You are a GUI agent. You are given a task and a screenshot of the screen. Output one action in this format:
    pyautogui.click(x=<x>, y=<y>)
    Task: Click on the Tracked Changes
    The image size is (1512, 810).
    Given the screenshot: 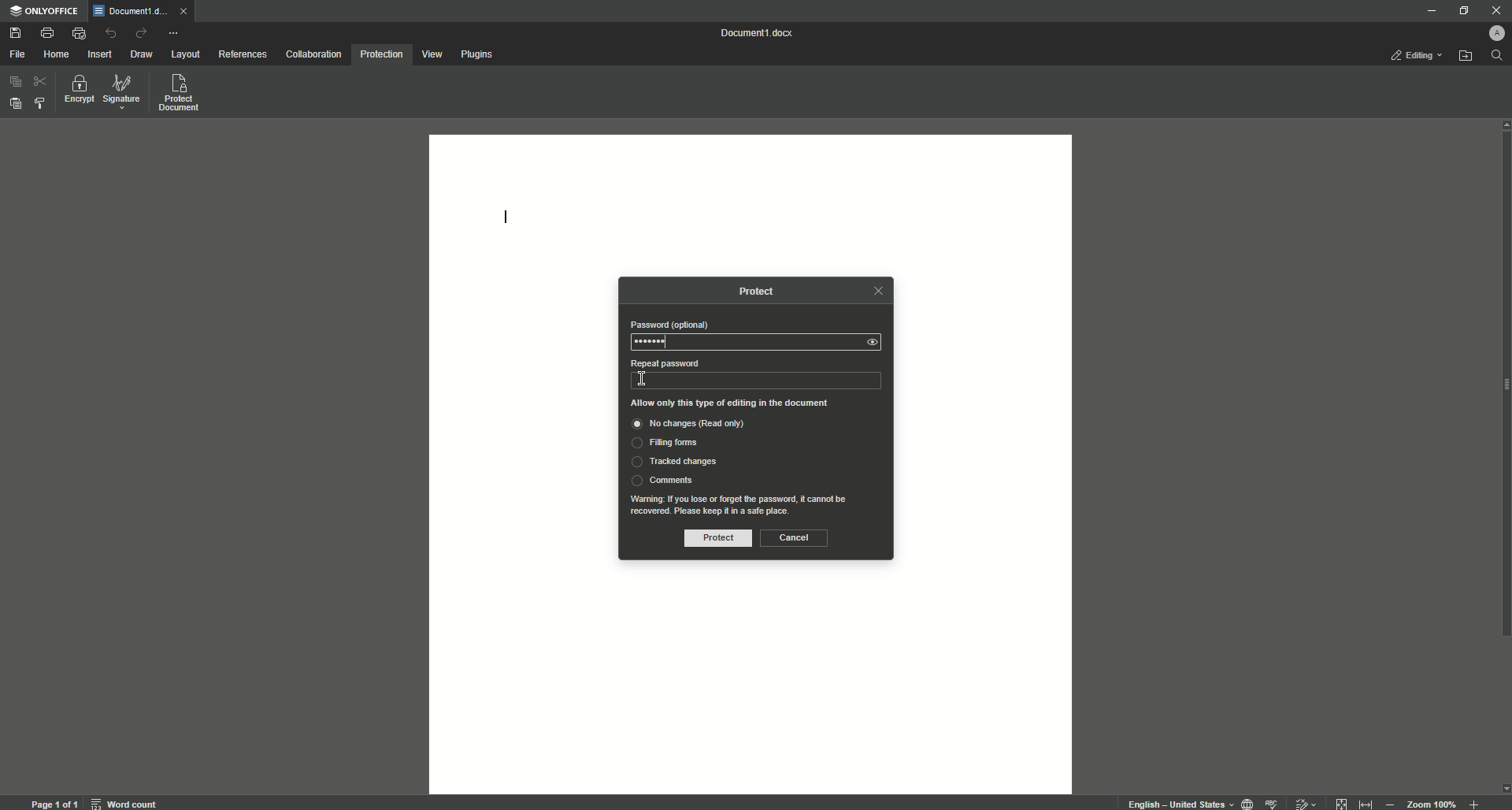 What is the action you would take?
    pyautogui.click(x=673, y=463)
    